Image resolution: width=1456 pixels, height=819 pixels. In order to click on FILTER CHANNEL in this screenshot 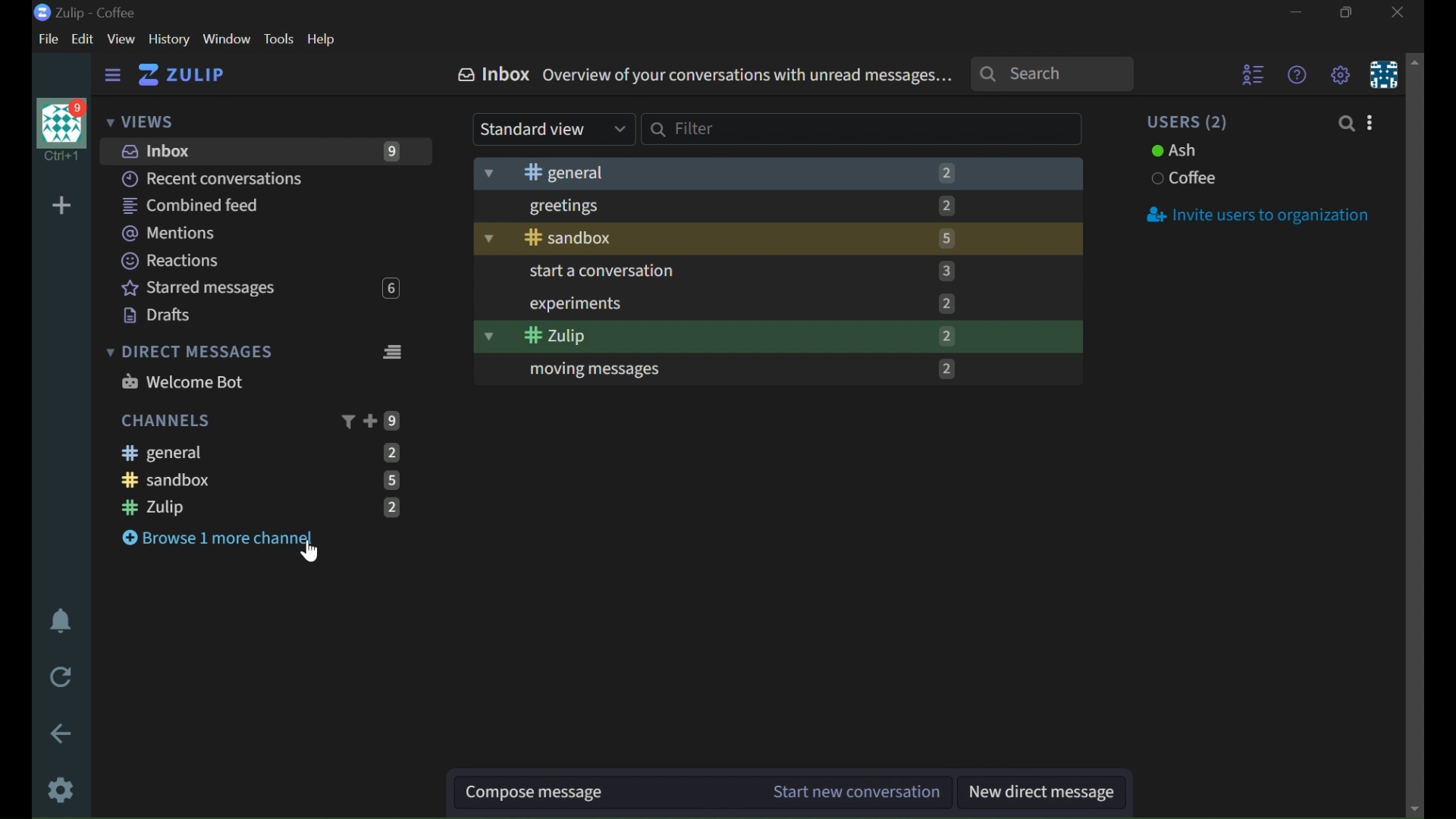, I will do `click(350, 422)`.